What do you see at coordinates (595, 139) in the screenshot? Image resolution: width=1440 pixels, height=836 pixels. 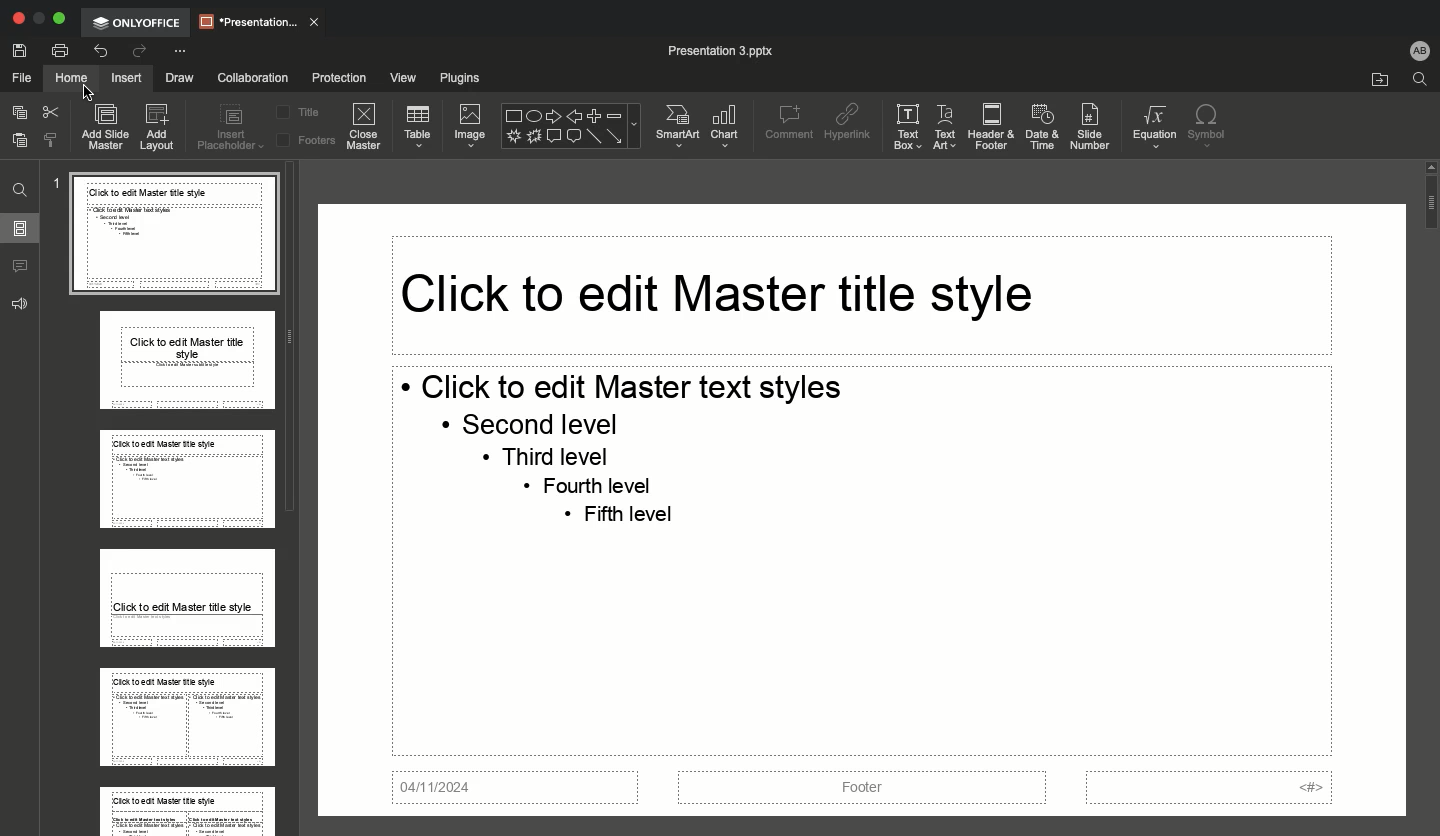 I see `Line` at bounding box center [595, 139].